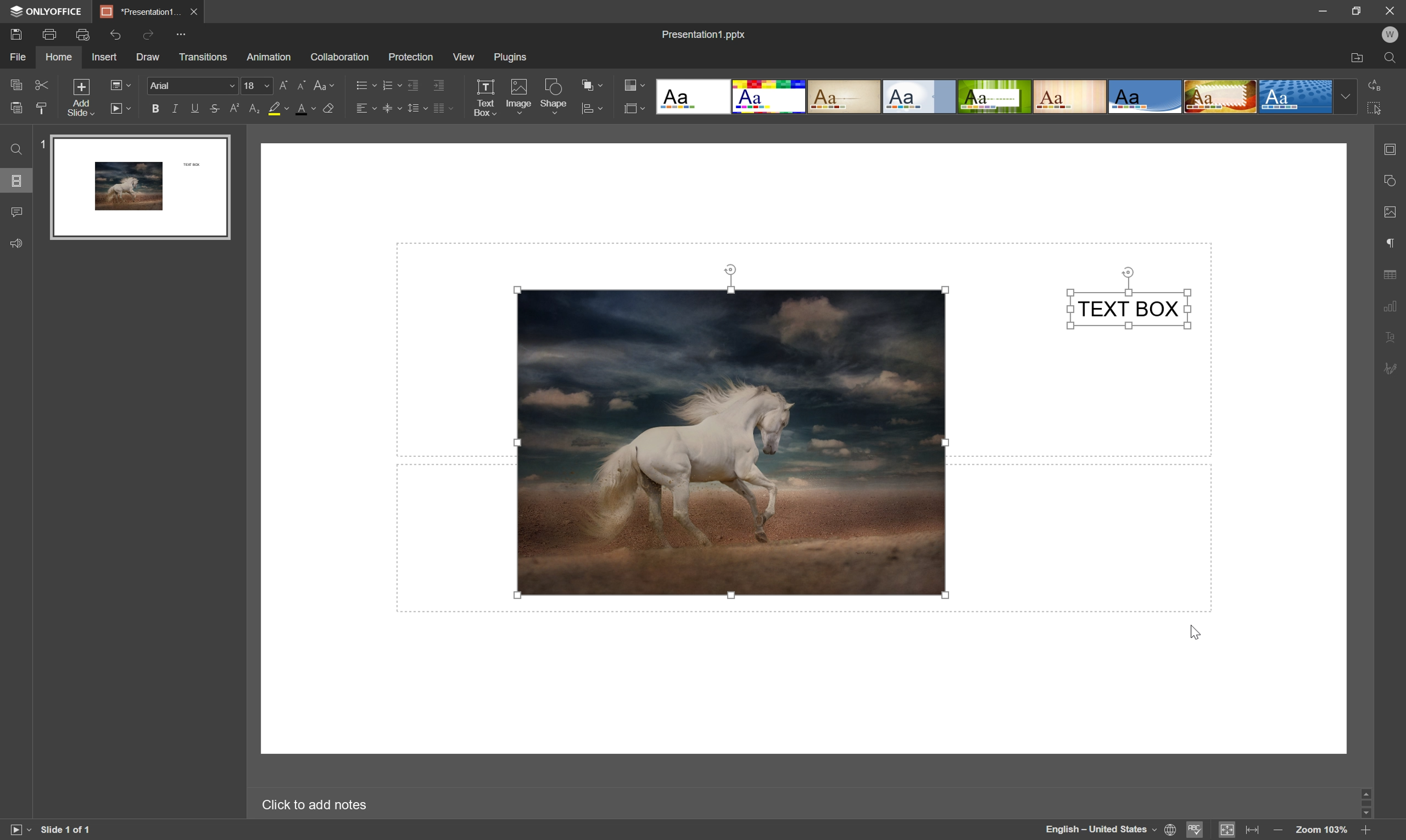 Image resolution: width=1406 pixels, height=840 pixels. I want to click on insert columns, so click(443, 108).